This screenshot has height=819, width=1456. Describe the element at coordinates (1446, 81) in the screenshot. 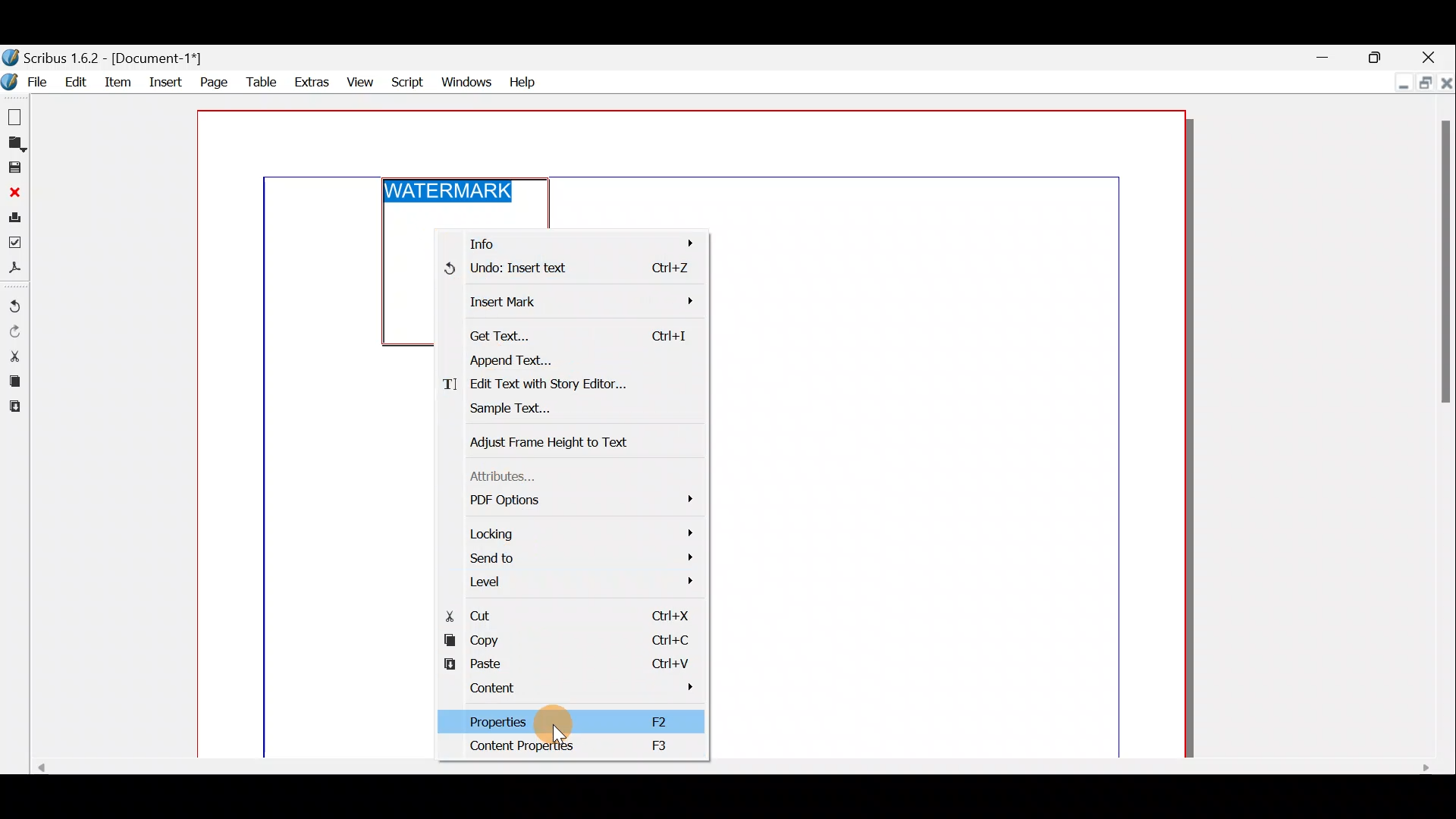

I see `Close` at that location.